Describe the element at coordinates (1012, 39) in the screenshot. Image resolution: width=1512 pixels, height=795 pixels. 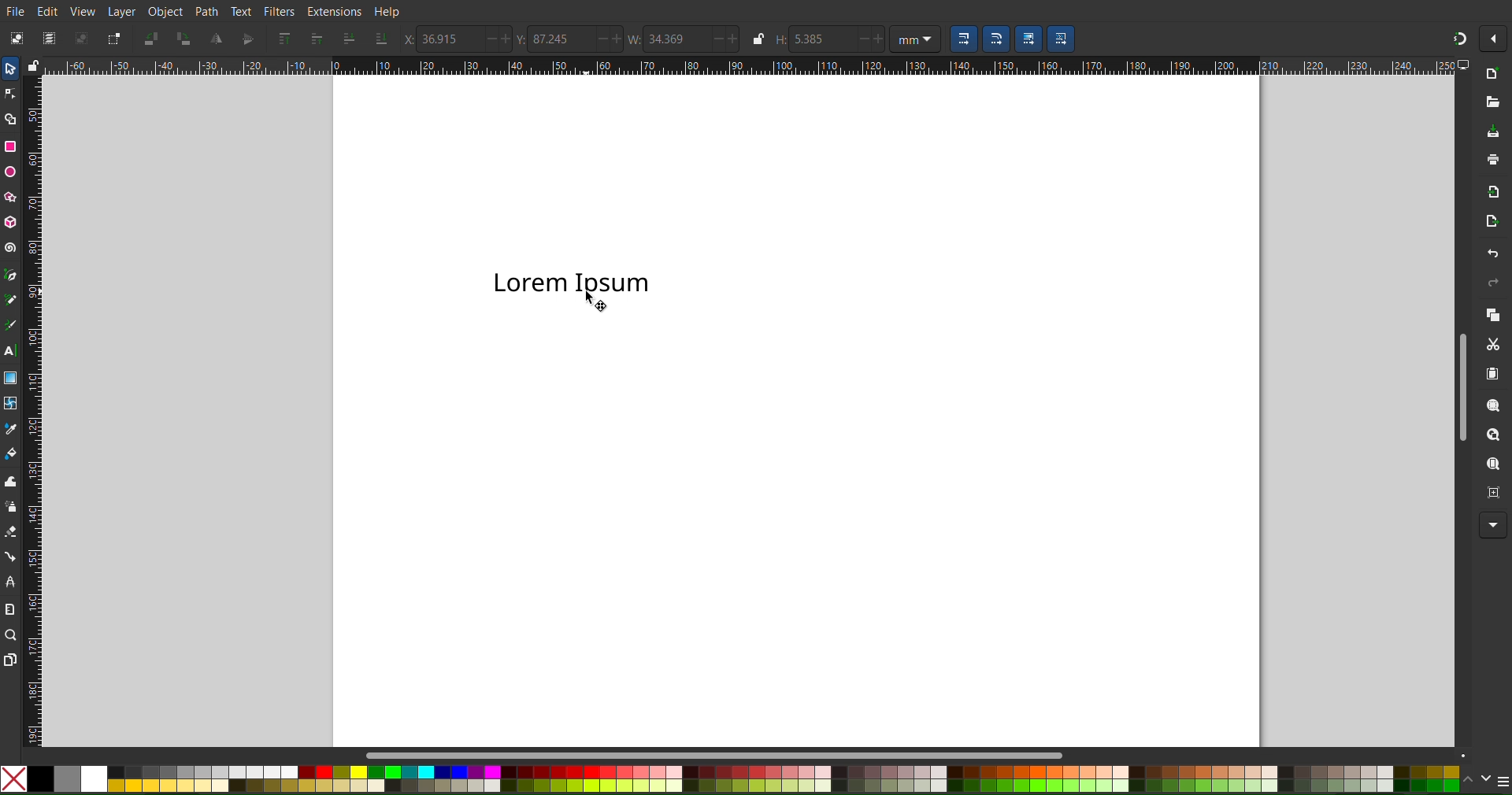
I see `Scaling Objects Options` at that location.